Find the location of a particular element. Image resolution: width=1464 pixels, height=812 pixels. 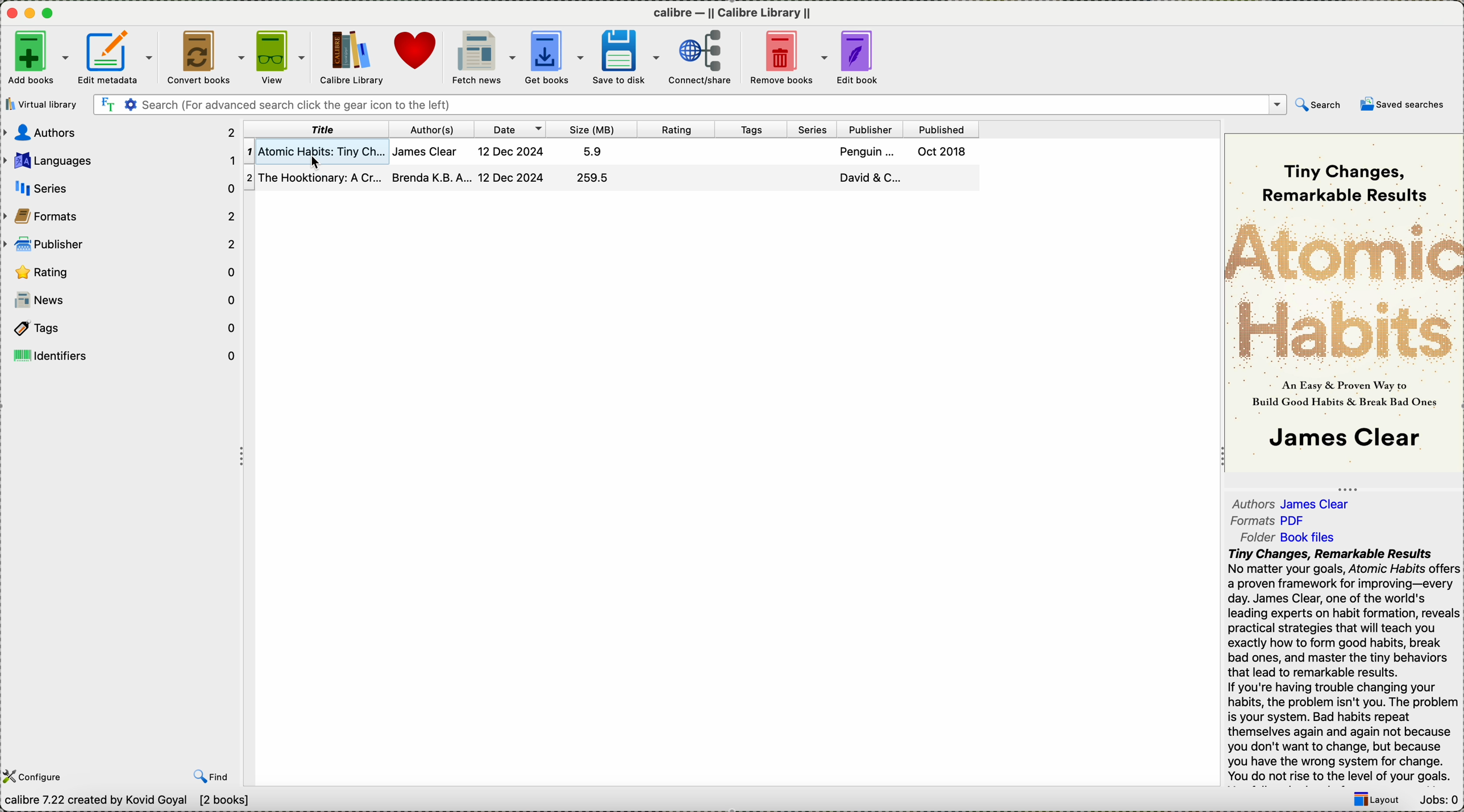

donate is located at coordinates (418, 53).